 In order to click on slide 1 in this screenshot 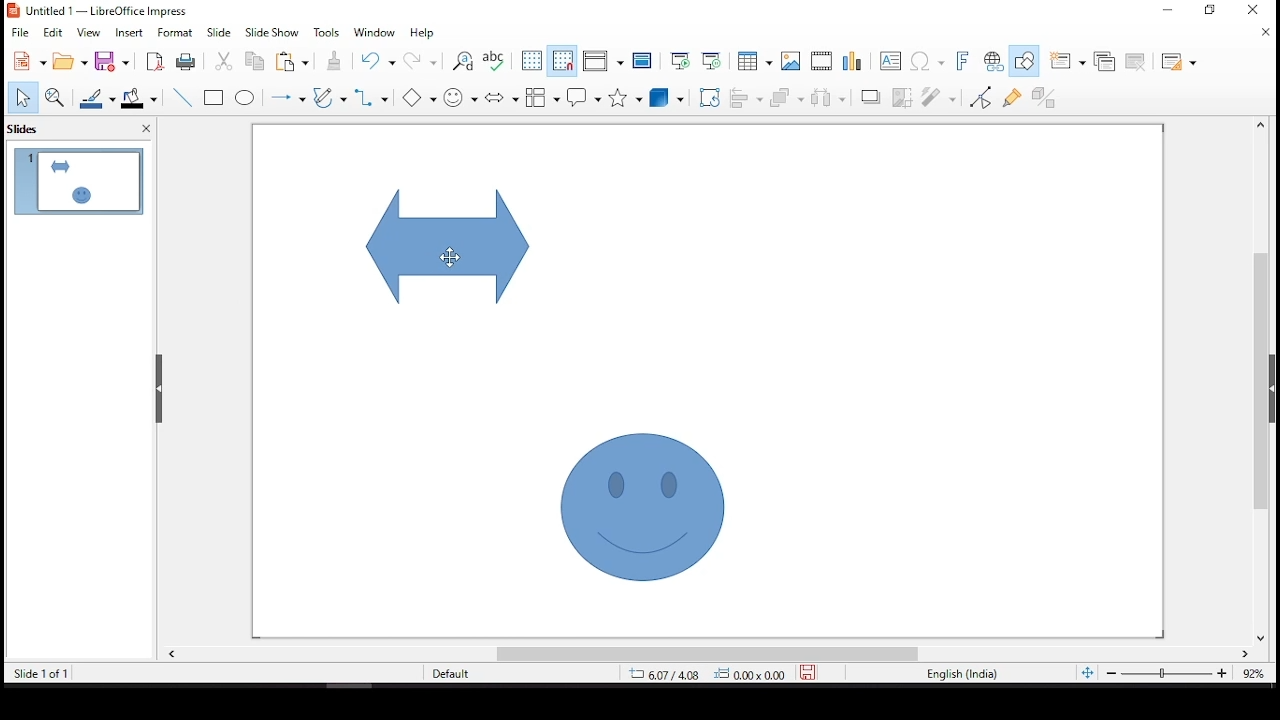, I will do `click(79, 181)`.